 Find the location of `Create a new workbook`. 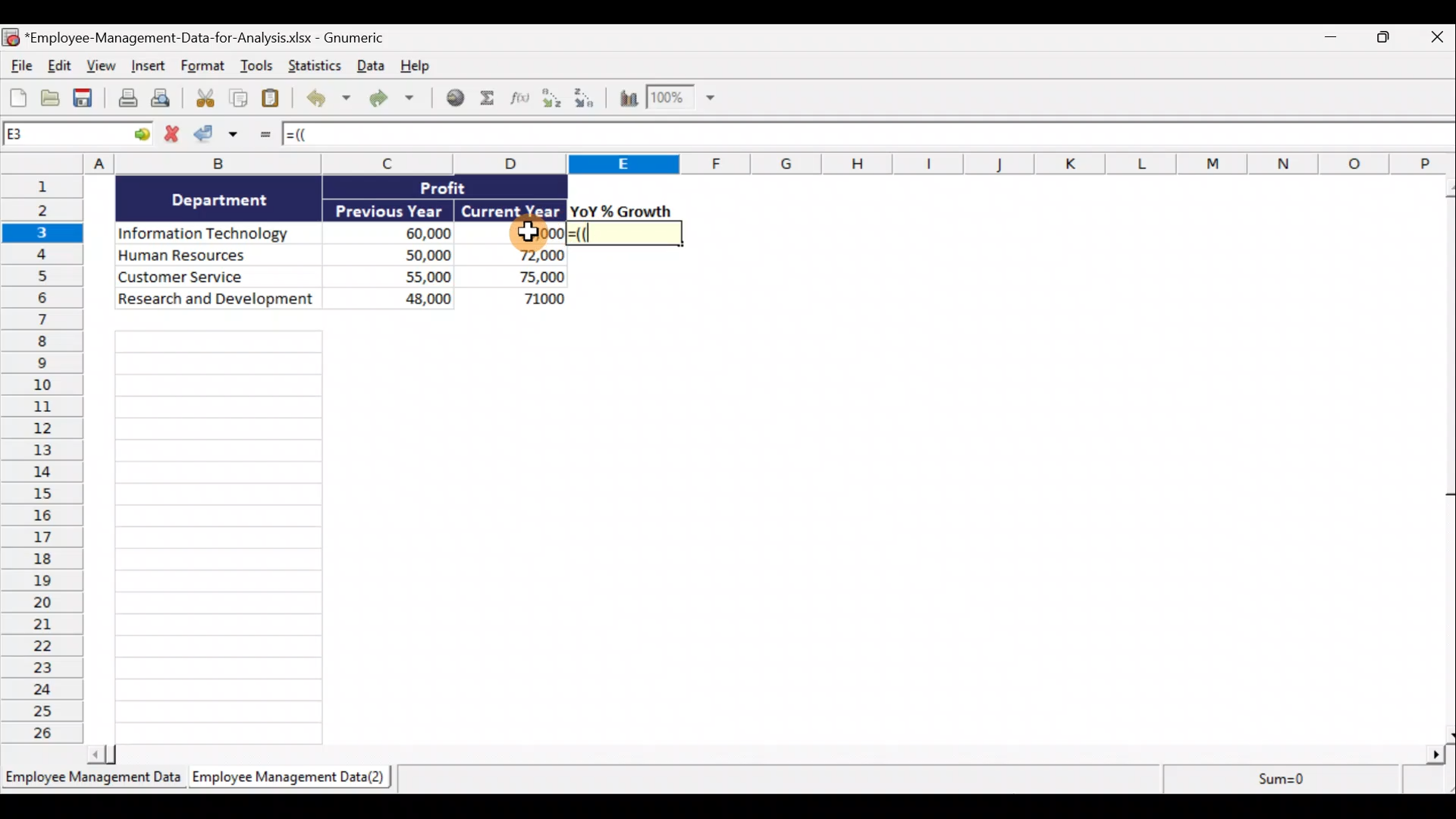

Create a new workbook is located at coordinates (18, 96).